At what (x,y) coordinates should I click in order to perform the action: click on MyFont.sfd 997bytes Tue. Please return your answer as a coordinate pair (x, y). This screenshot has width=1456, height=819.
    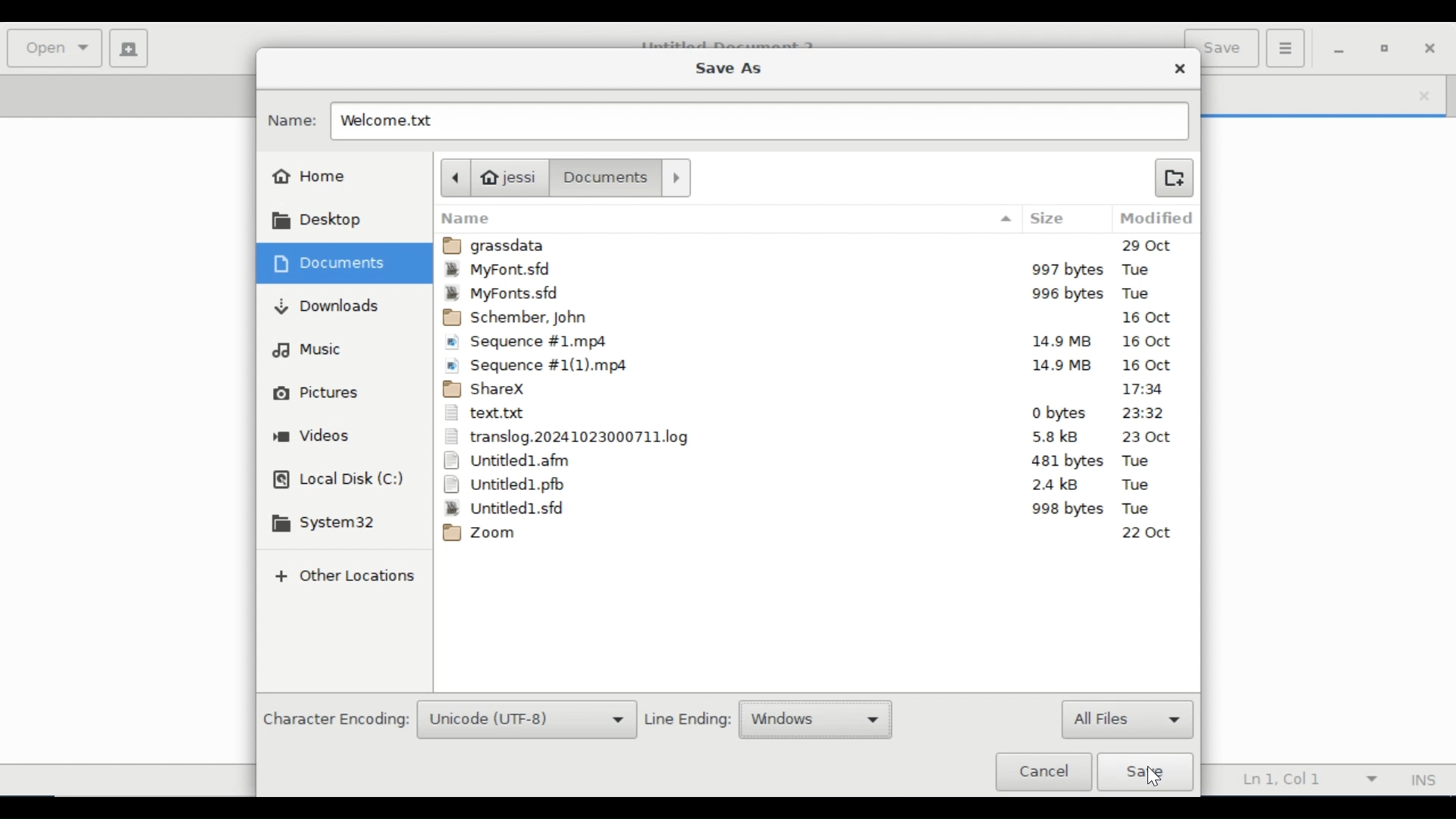
    Looking at the image, I should click on (817, 271).